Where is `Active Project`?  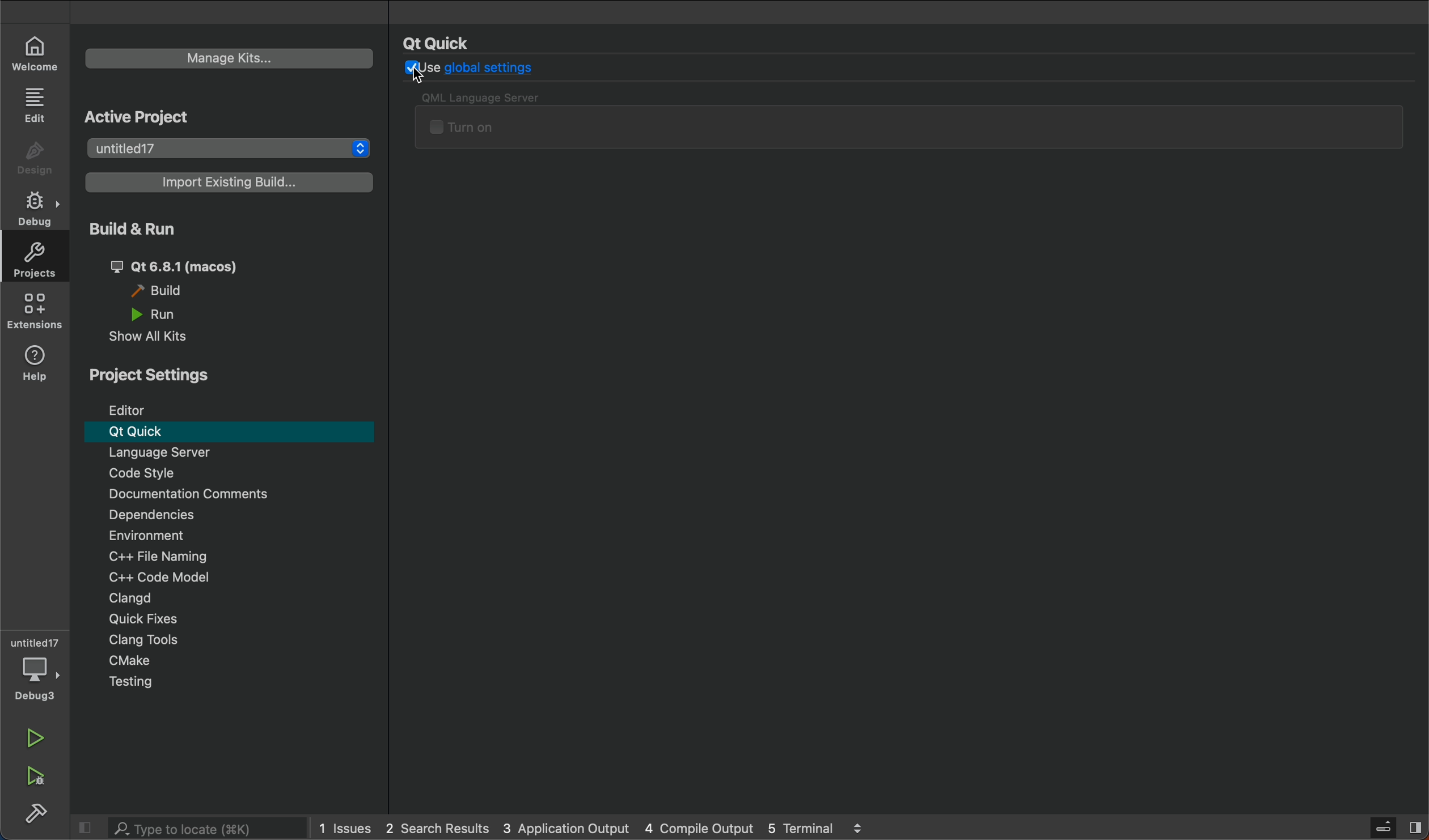 Active Project is located at coordinates (213, 112).